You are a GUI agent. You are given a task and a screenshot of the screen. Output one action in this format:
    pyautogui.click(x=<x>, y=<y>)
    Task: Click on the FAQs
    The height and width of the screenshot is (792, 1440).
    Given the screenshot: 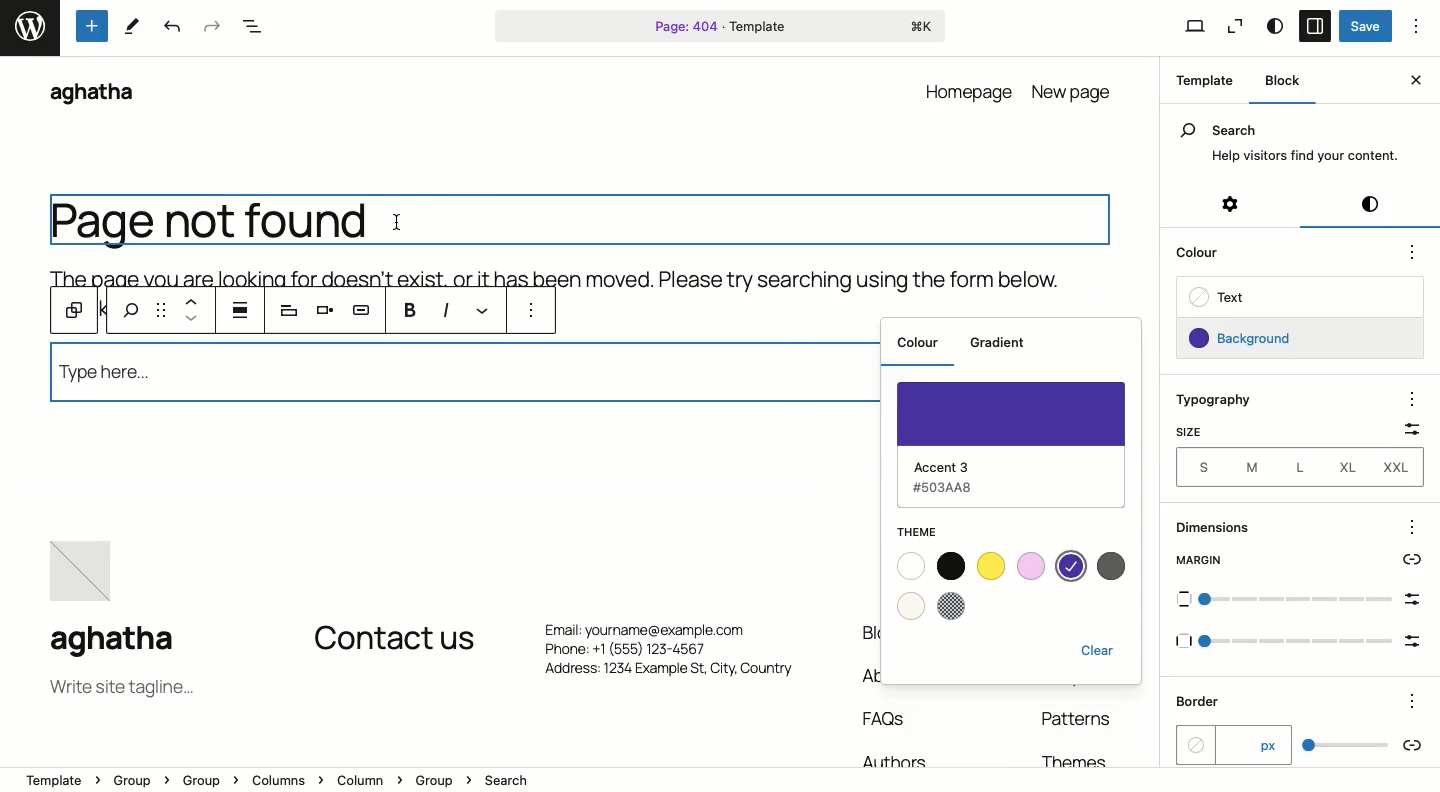 What is the action you would take?
    pyautogui.click(x=887, y=719)
    